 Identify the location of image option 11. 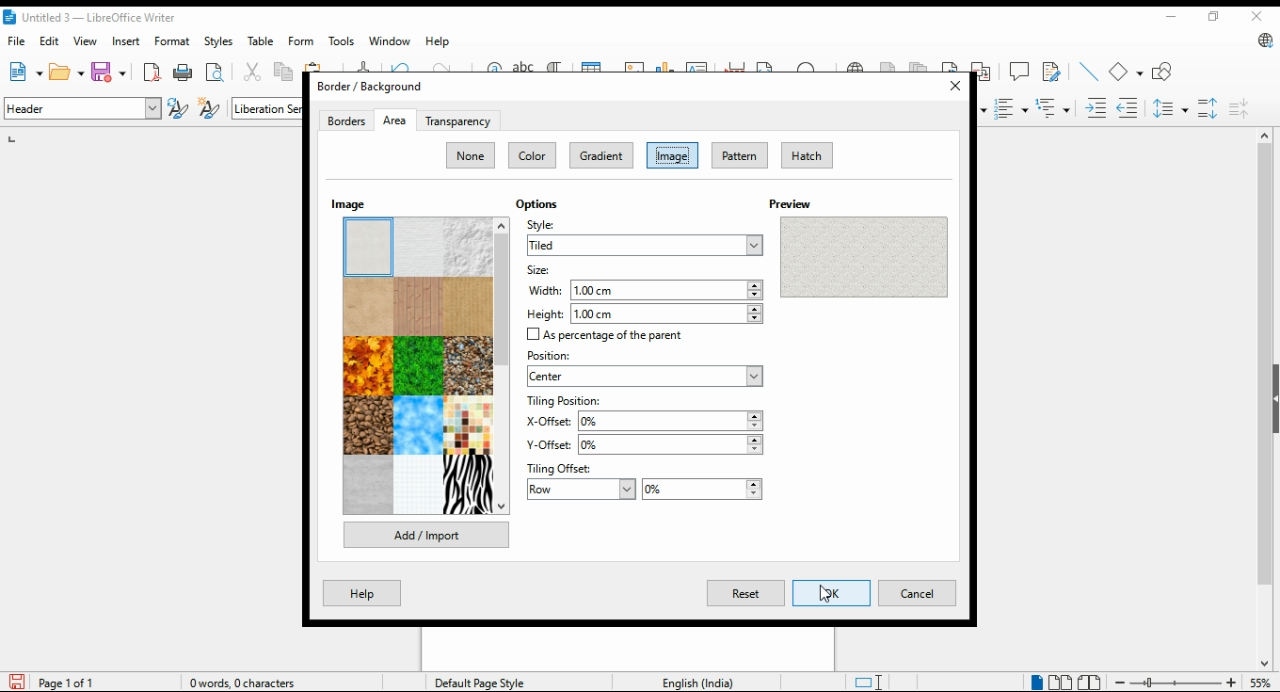
(420, 425).